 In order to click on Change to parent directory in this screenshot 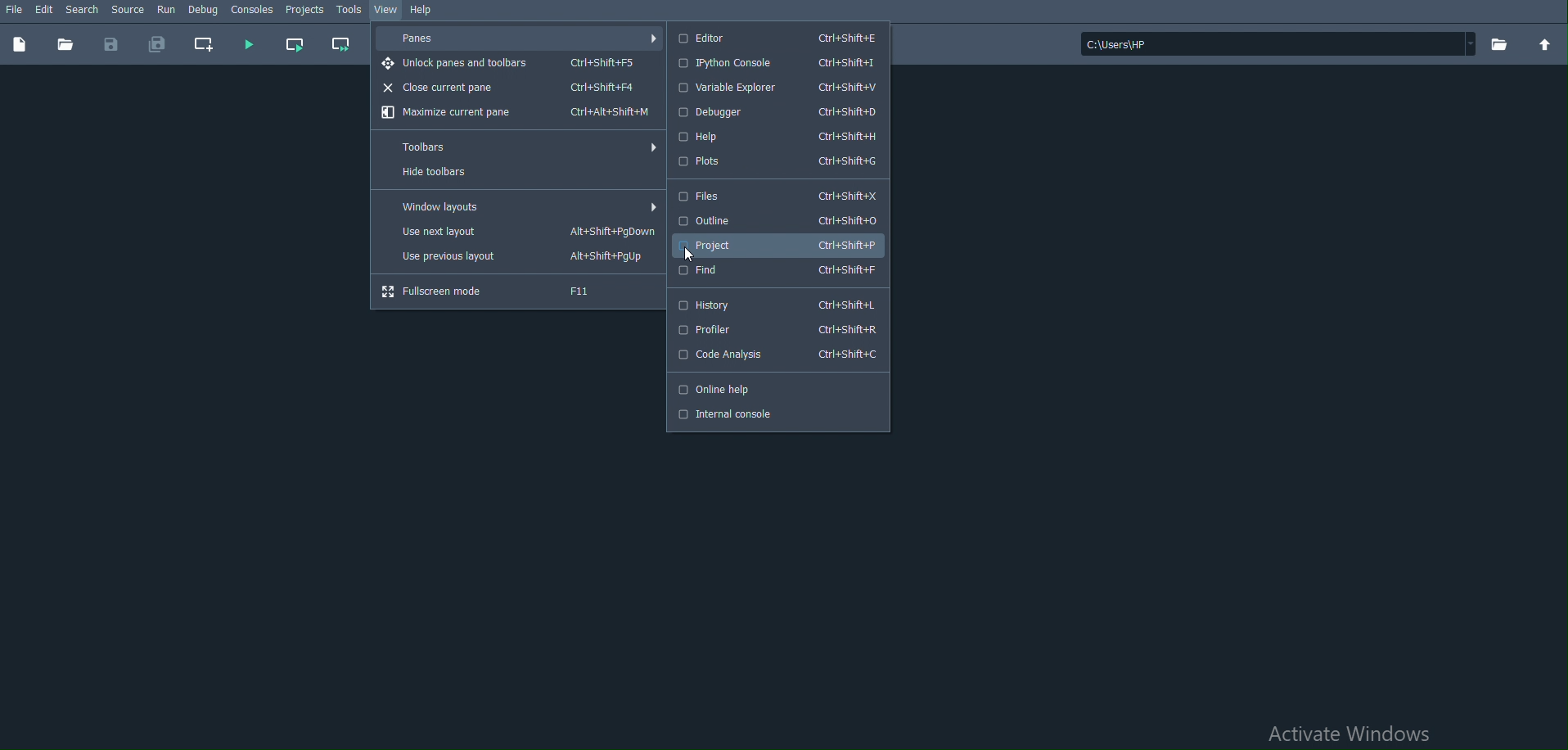, I will do `click(1545, 44)`.